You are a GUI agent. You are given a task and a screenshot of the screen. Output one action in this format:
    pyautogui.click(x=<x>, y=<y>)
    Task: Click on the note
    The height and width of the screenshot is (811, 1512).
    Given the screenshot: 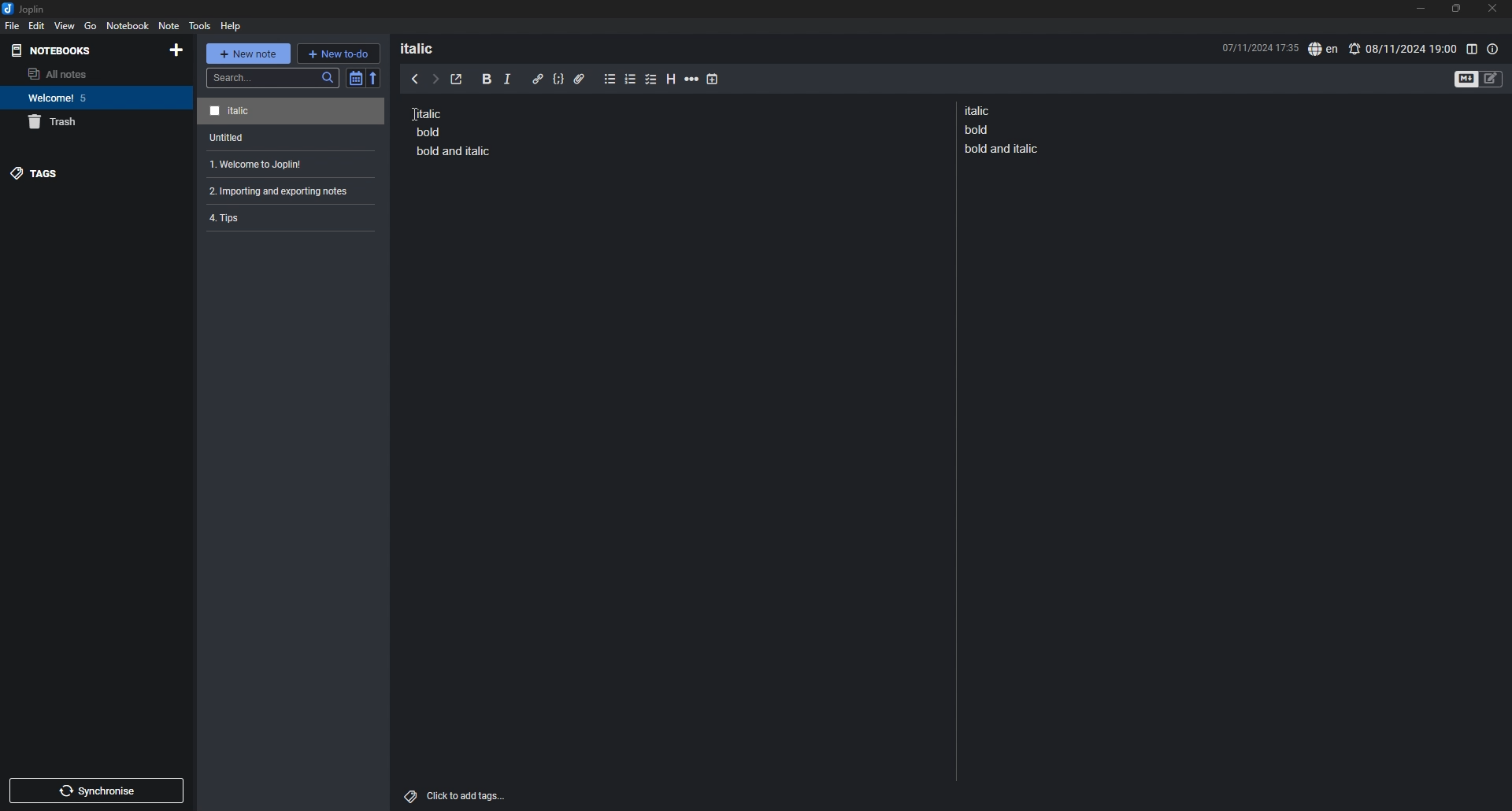 What is the action you would take?
    pyautogui.click(x=454, y=131)
    